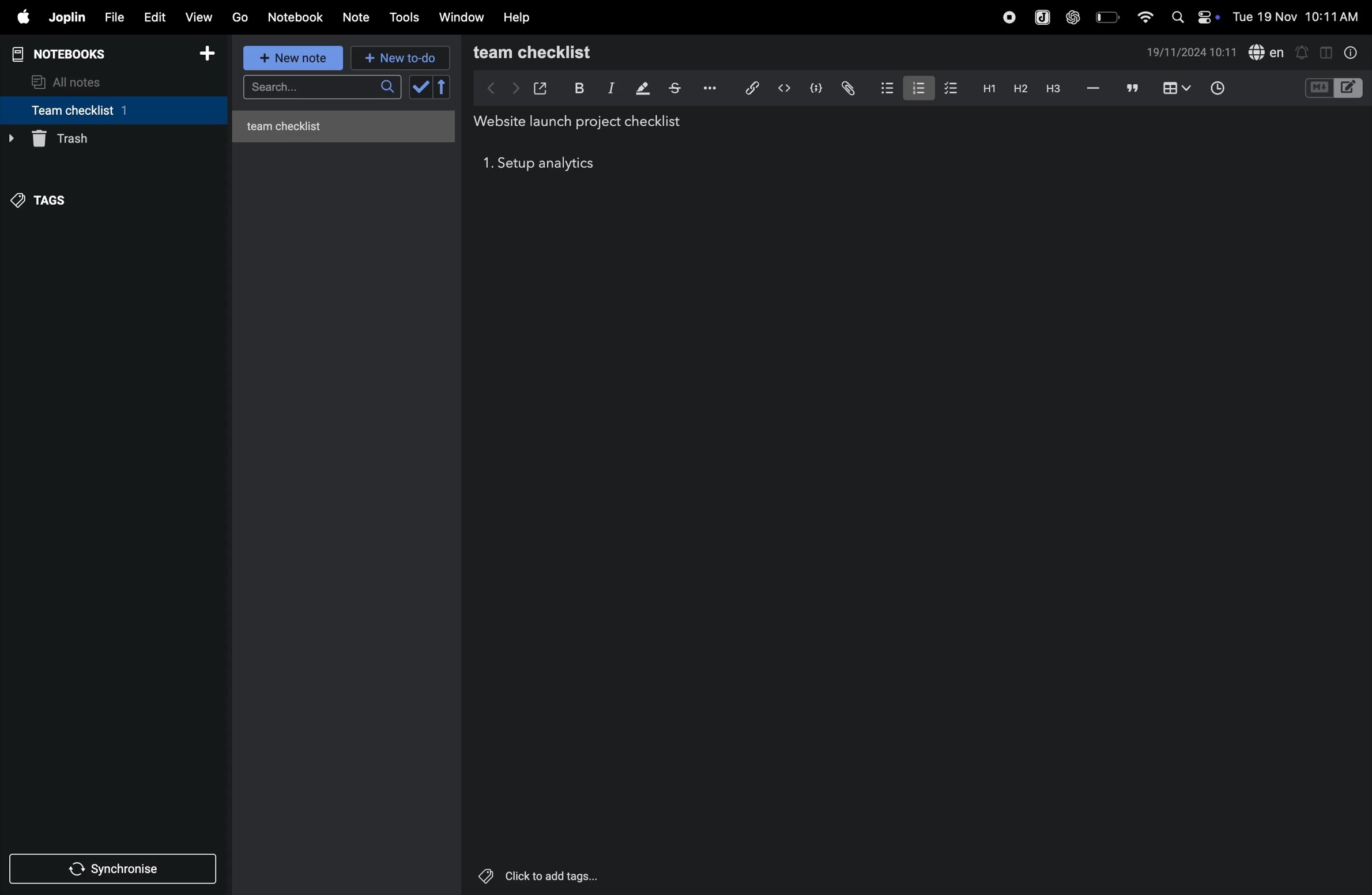  Describe the element at coordinates (816, 87) in the screenshot. I see `code block` at that location.